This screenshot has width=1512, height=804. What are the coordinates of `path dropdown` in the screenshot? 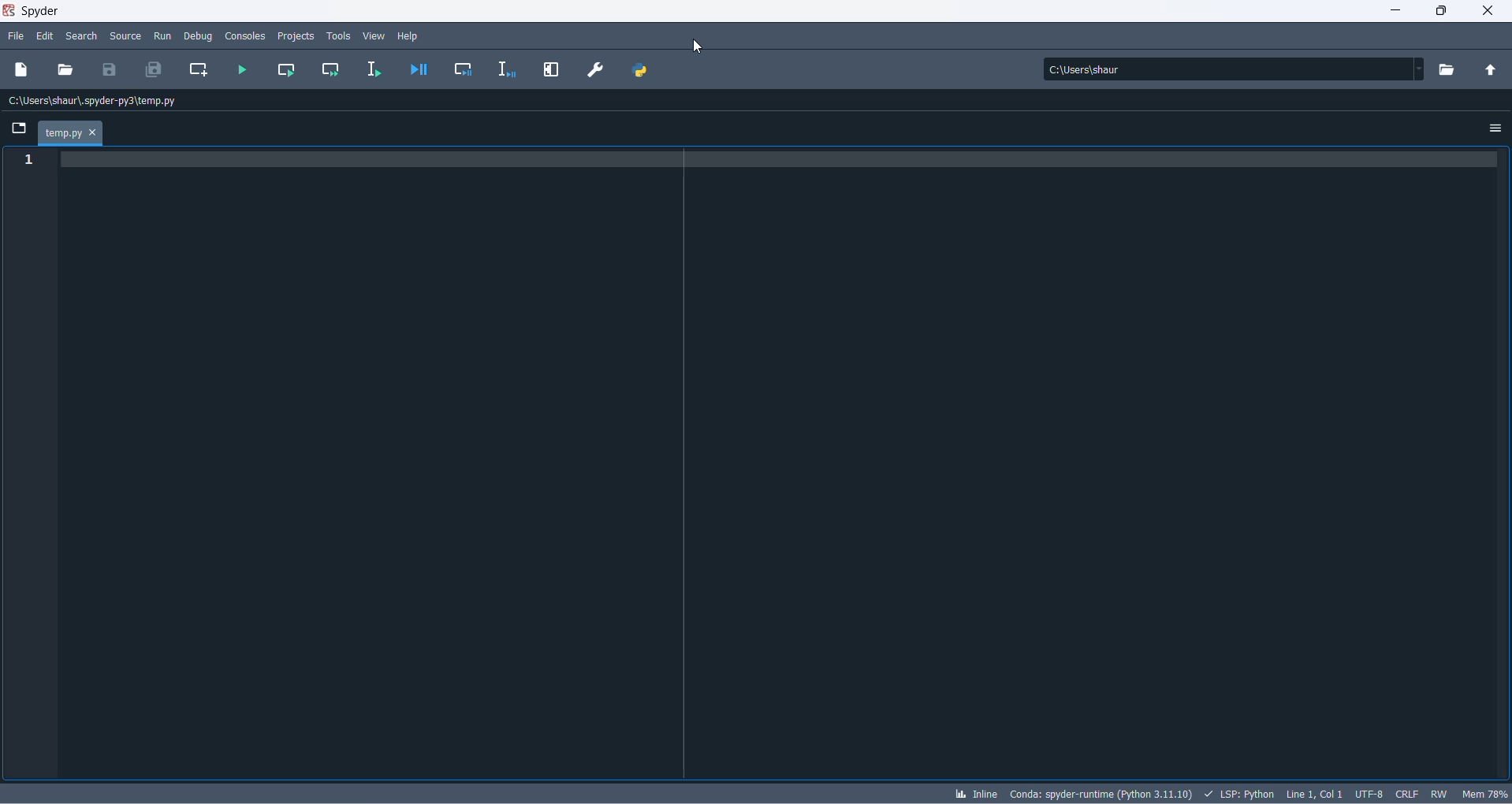 It's located at (1424, 69).